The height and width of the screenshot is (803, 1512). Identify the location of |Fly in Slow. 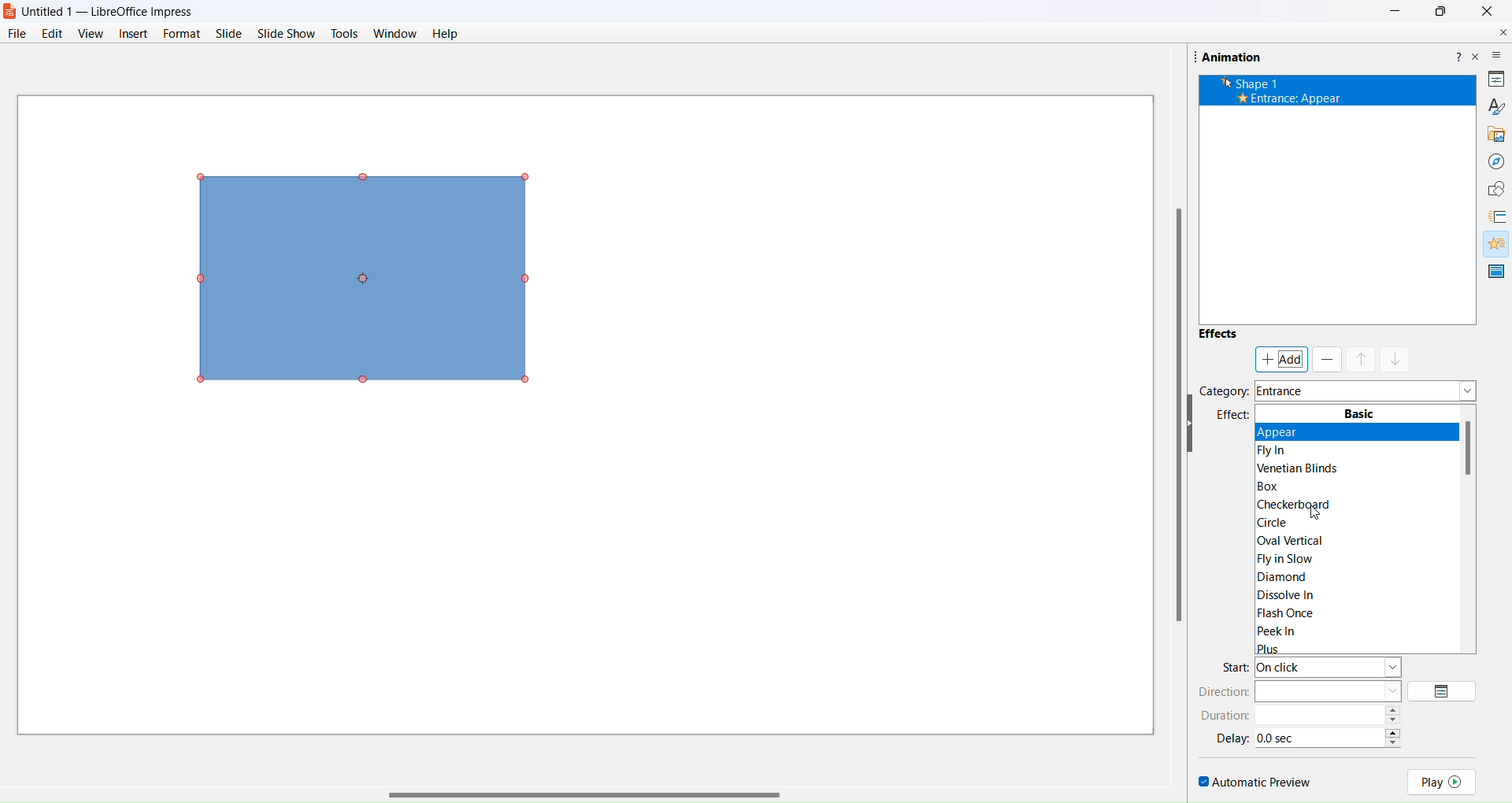
(1301, 557).